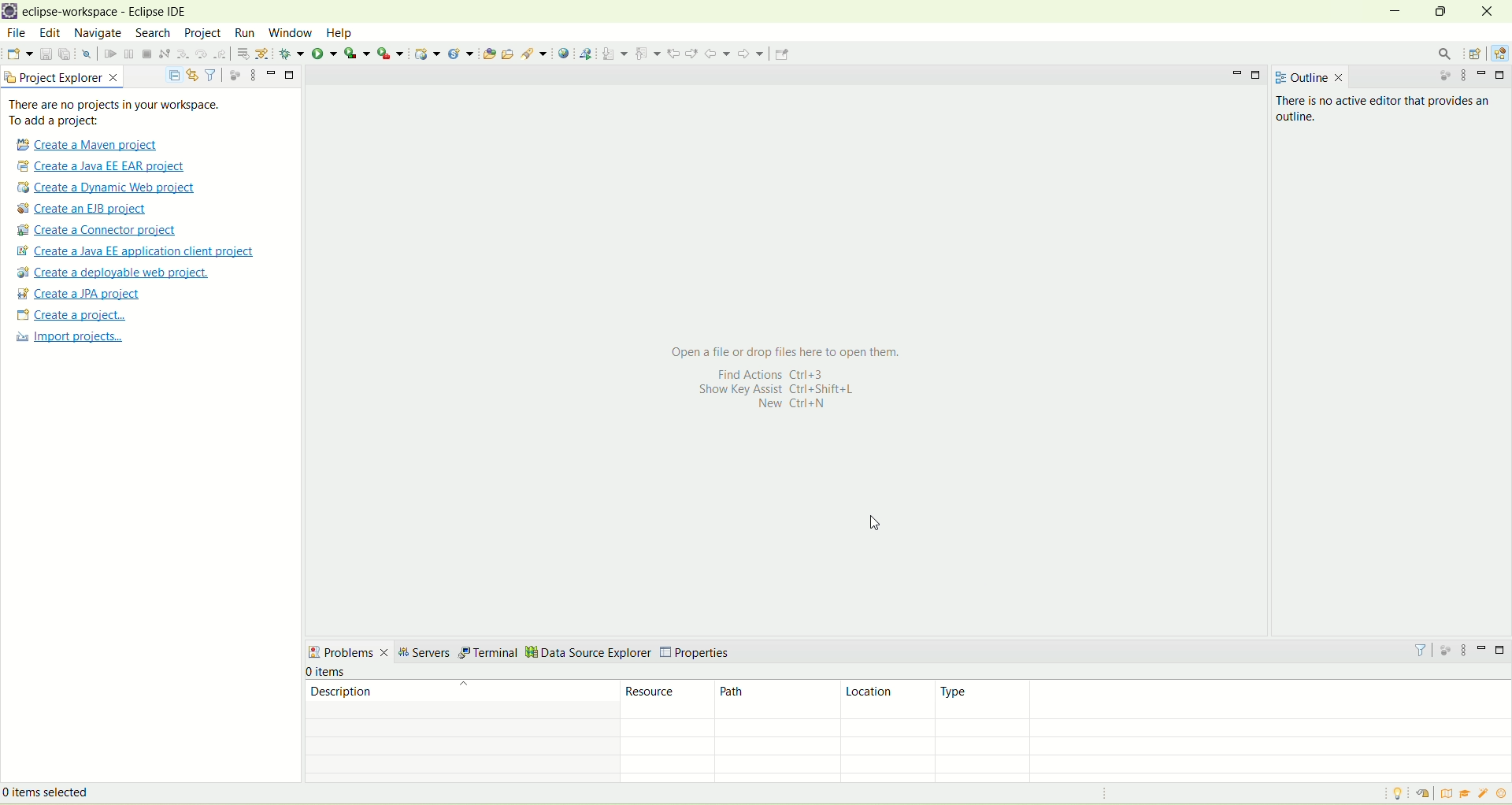  I want to click on create a Maven project, so click(91, 143).